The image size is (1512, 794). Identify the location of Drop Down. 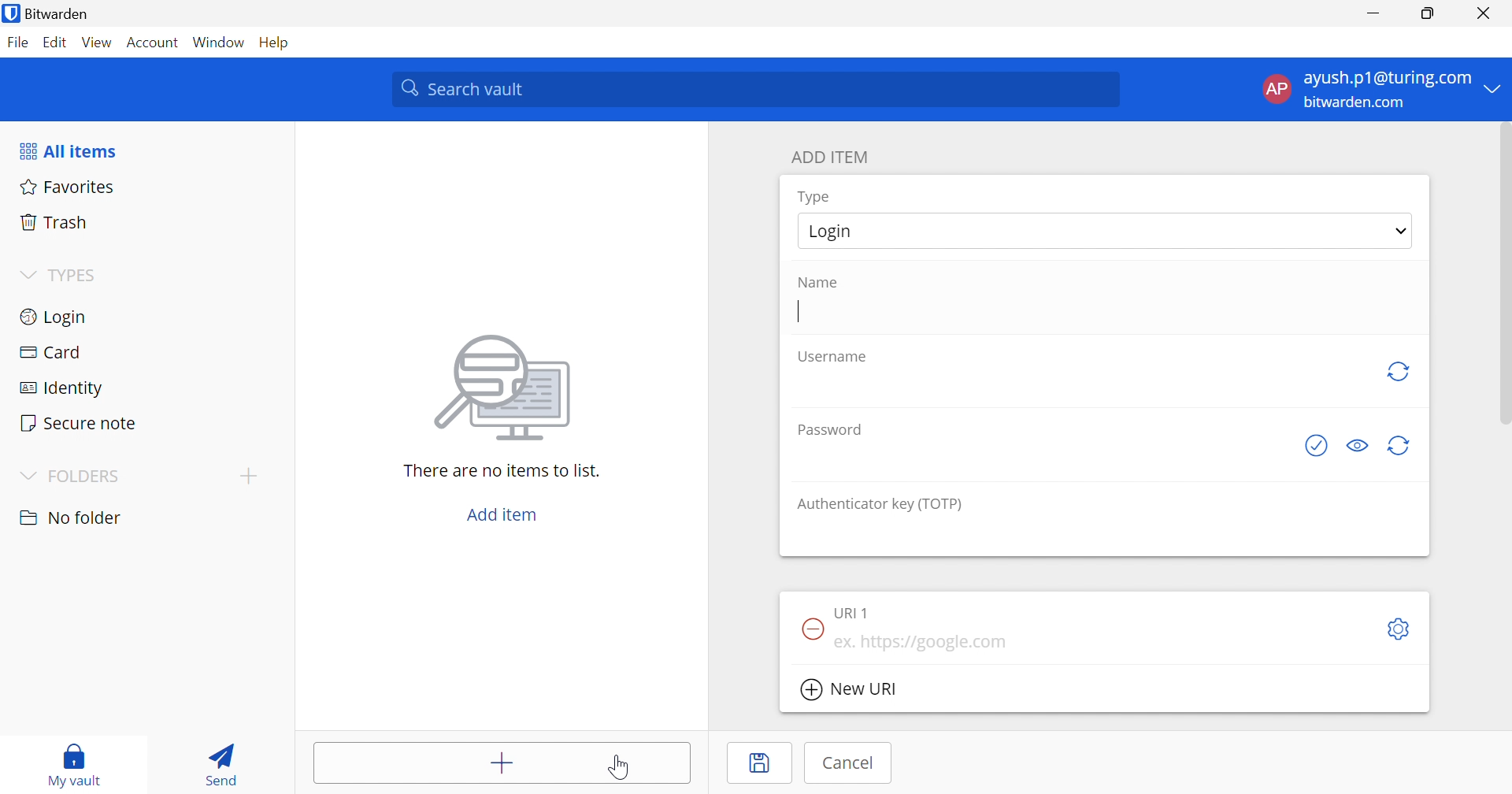
(25, 477).